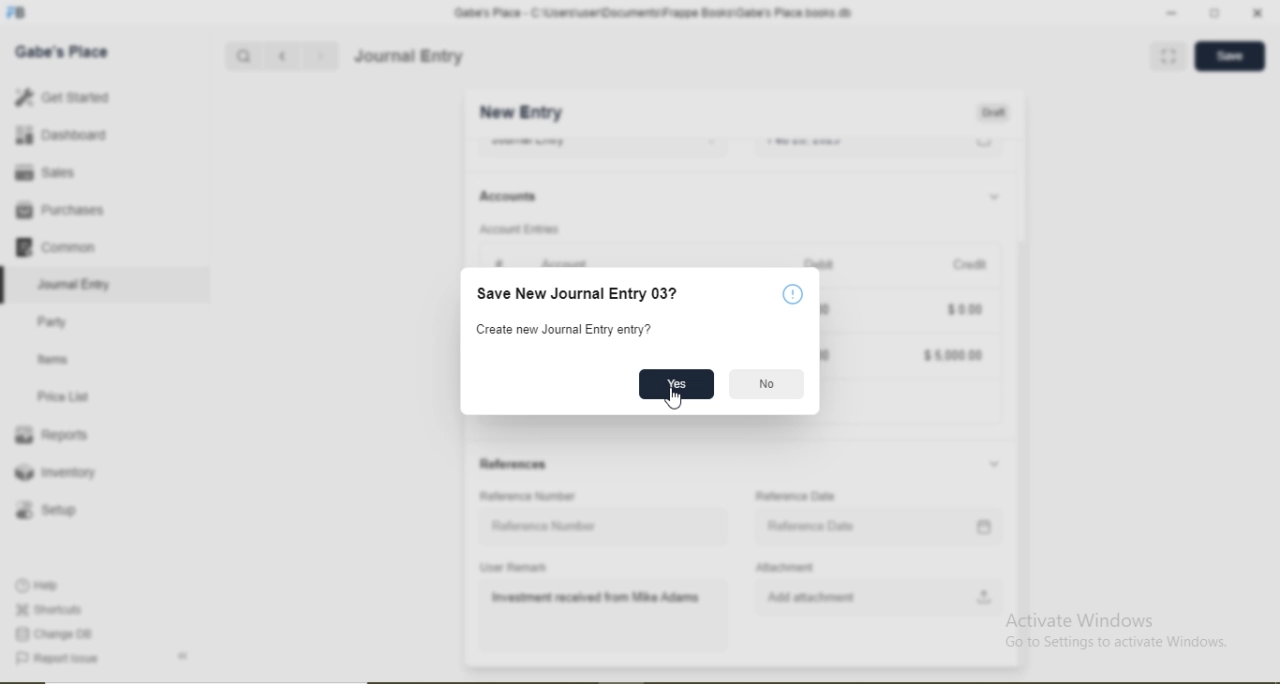 This screenshot has width=1280, height=684. What do you see at coordinates (282, 57) in the screenshot?
I see `Backward` at bounding box center [282, 57].